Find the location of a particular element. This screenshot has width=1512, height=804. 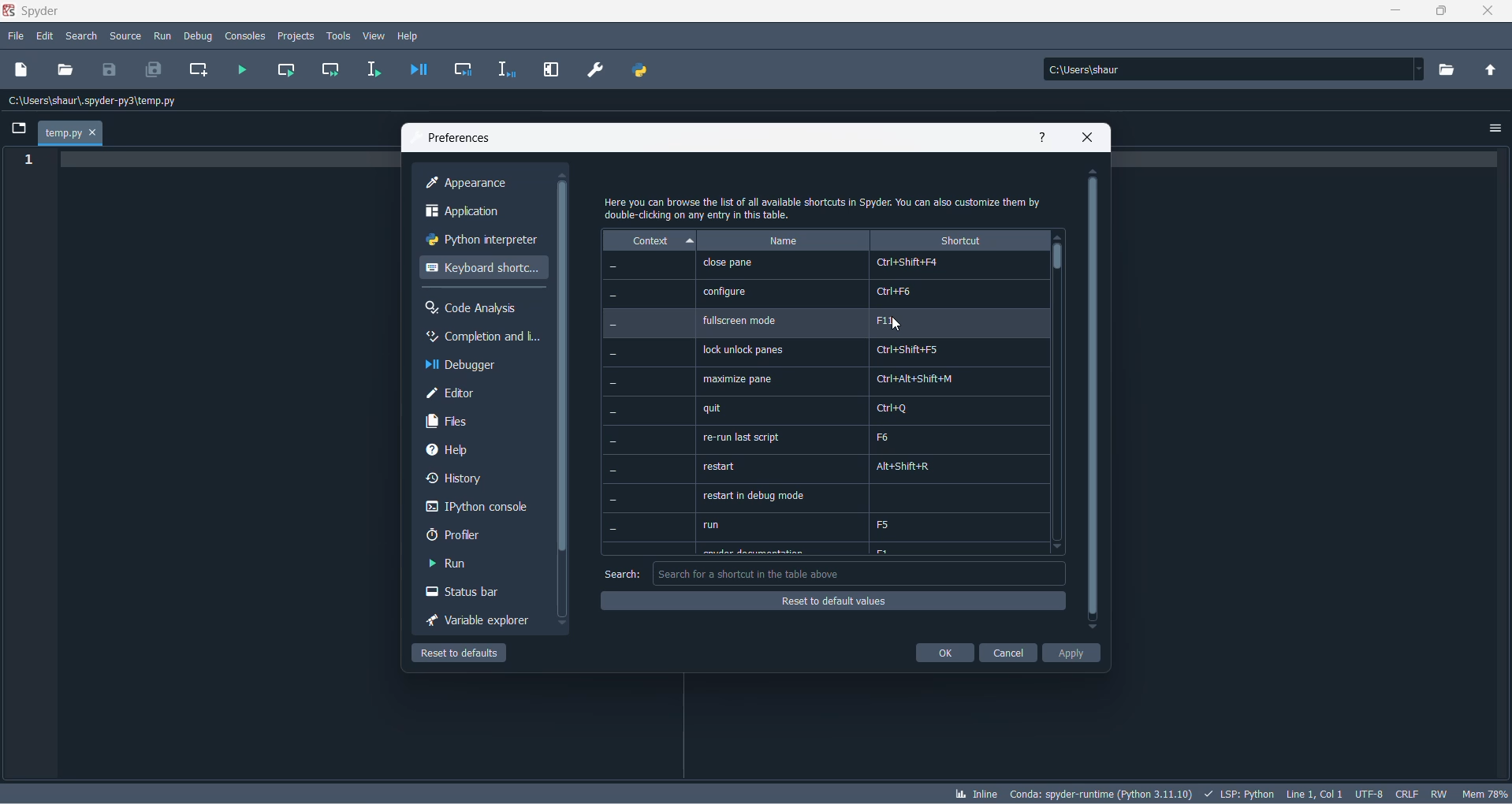

keyboard shortcut is located at coordinates (482, 269).